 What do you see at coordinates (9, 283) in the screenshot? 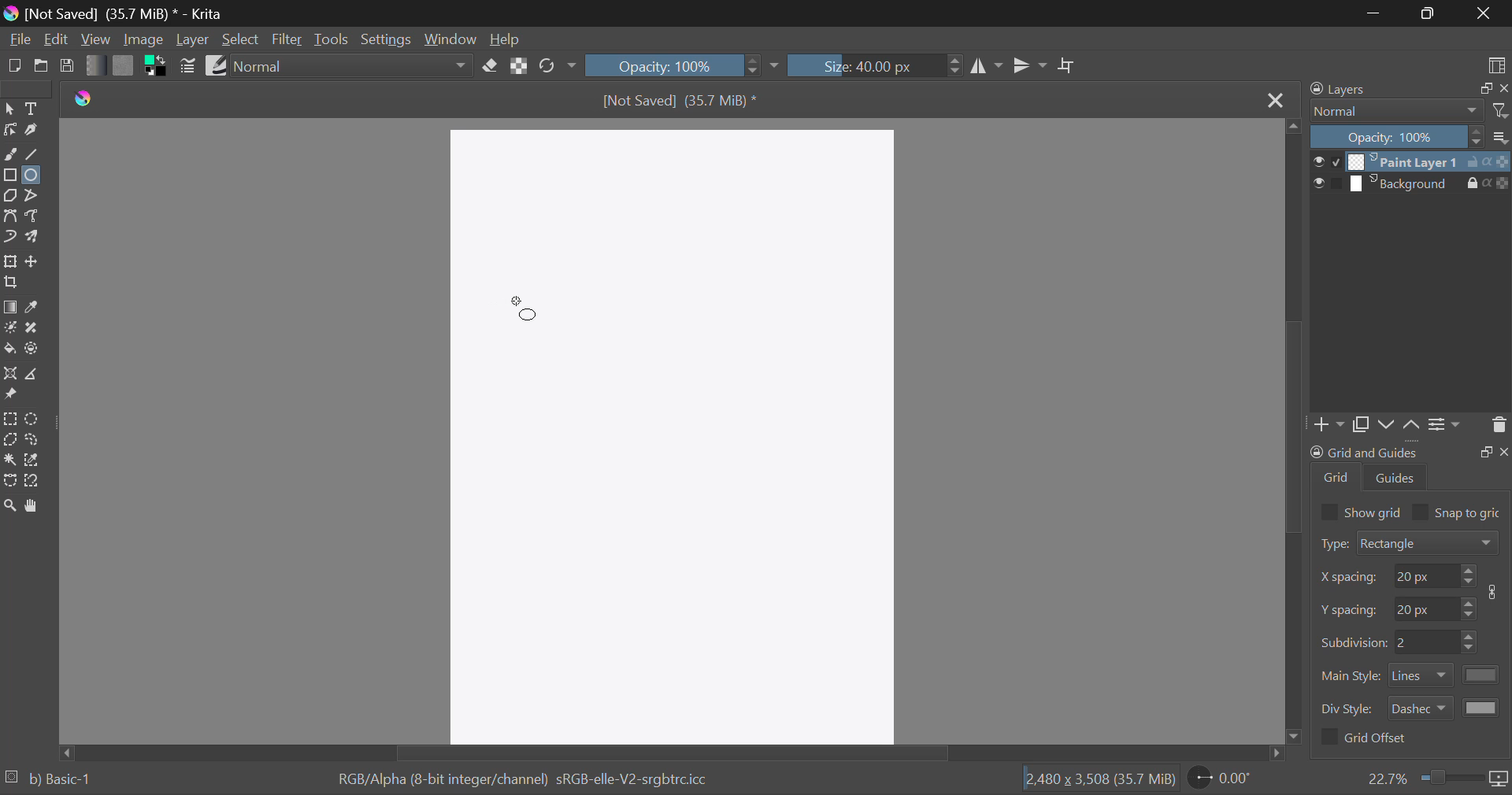
I see `Crop` at bounding box center [9, 283].